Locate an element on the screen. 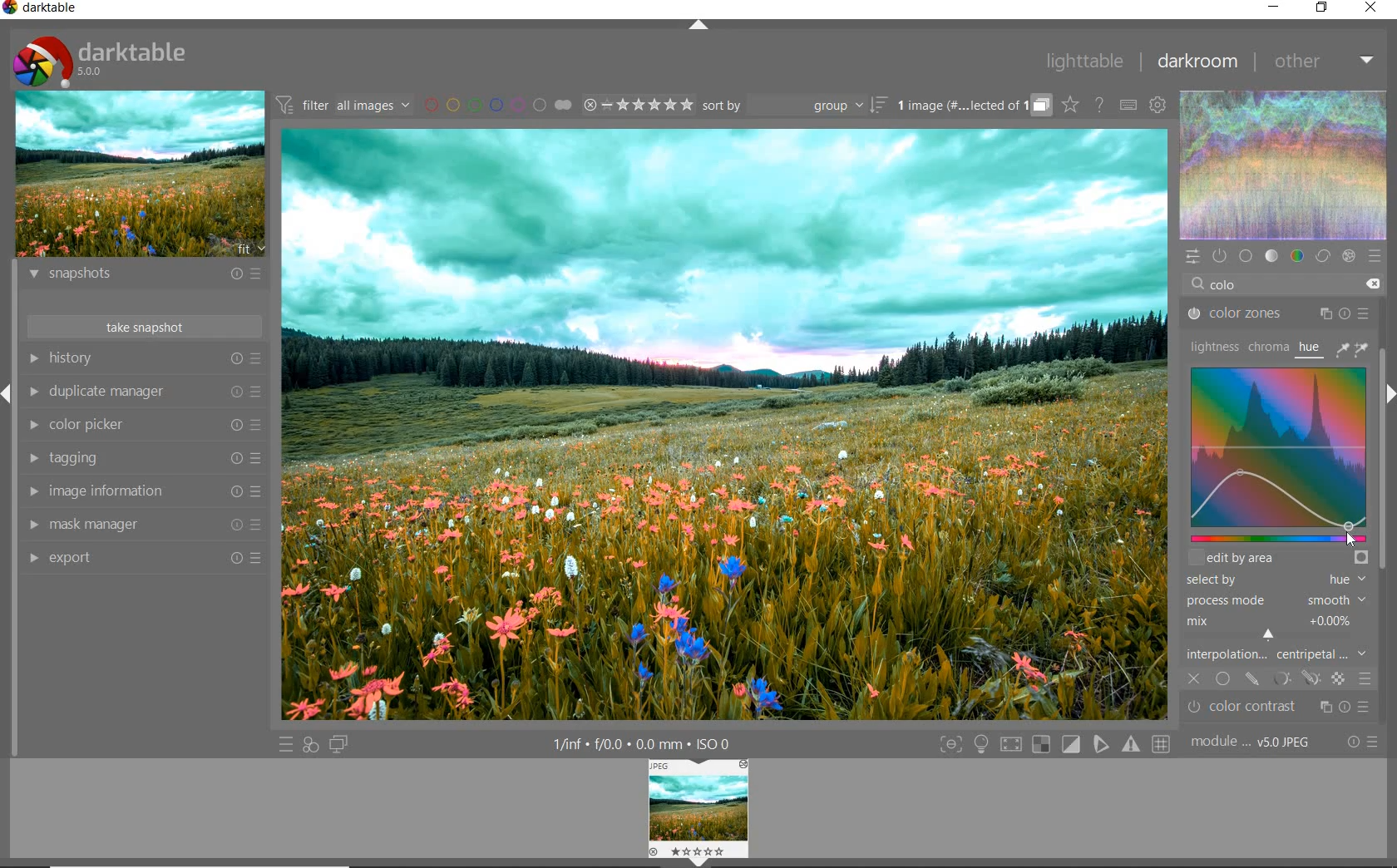 The height and width of the screenshot is (868, 1397). picker tools is located at coordinates (1355, 348).